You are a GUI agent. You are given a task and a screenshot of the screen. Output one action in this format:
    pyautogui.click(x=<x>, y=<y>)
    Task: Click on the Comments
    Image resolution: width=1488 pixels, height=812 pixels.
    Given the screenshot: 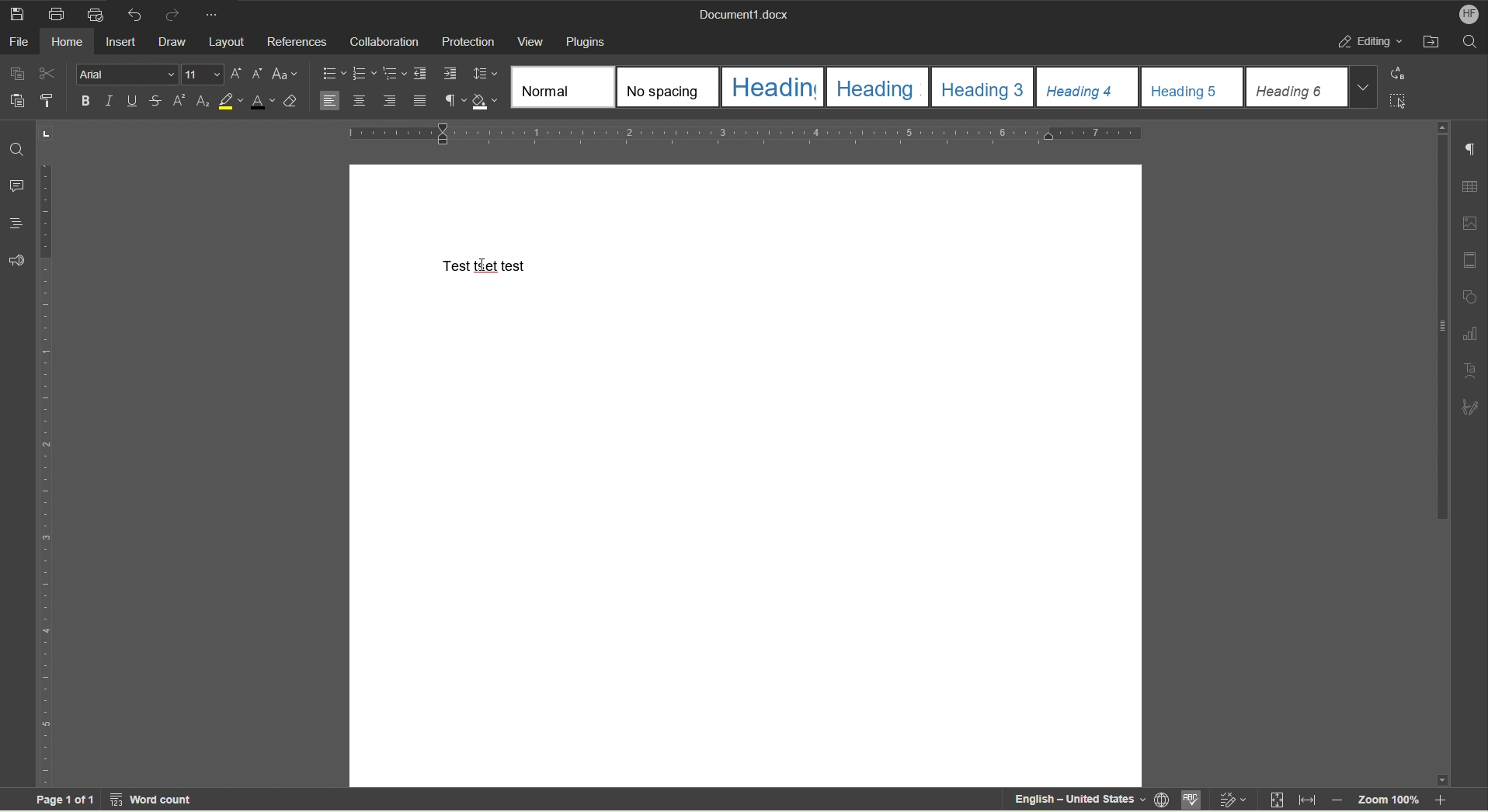 What is the action you would take?
    pyautogui.click(x=16, y=186)
    